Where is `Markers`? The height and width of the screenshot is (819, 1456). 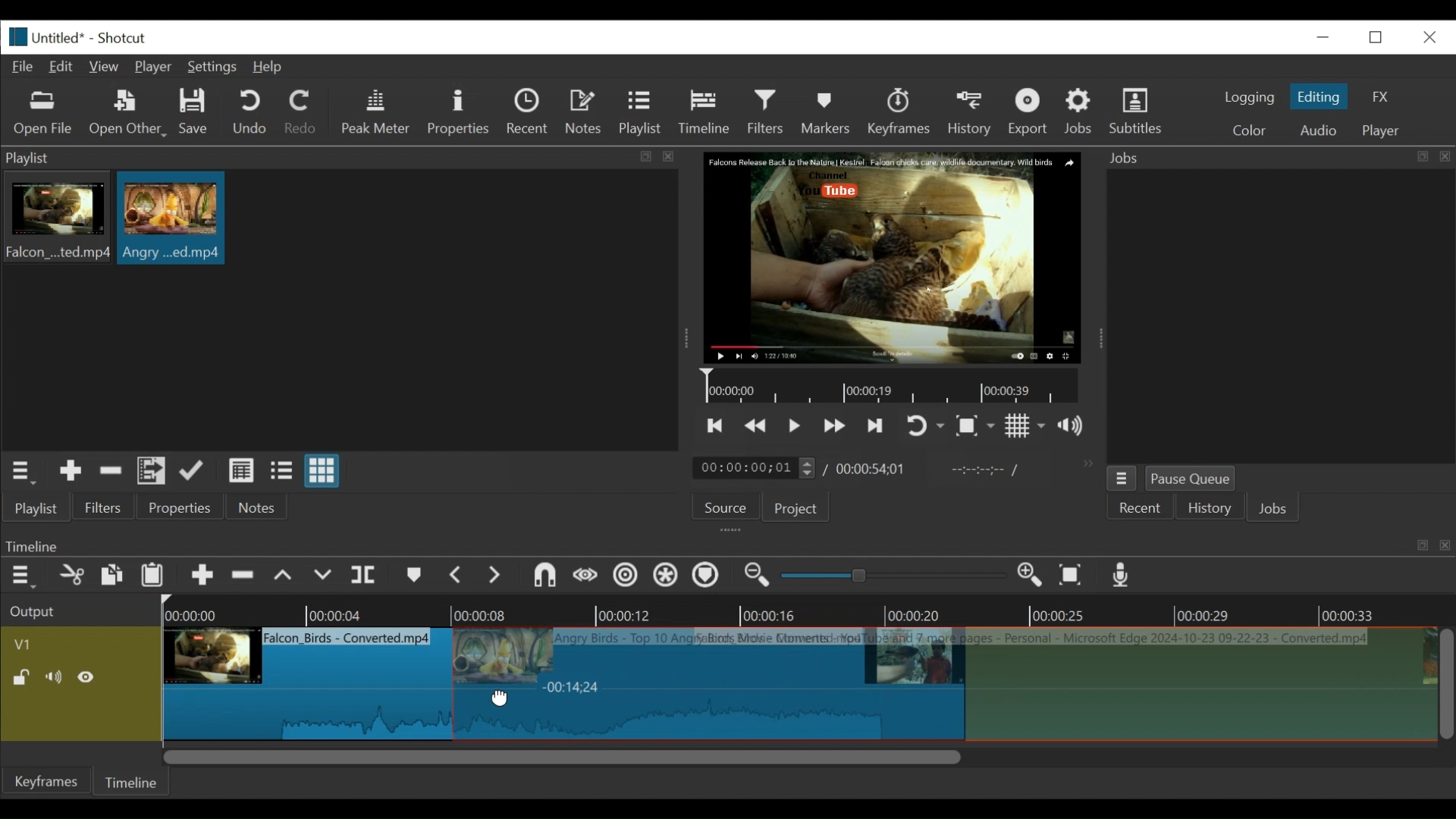 Markers is located at coordinates (829, 111).